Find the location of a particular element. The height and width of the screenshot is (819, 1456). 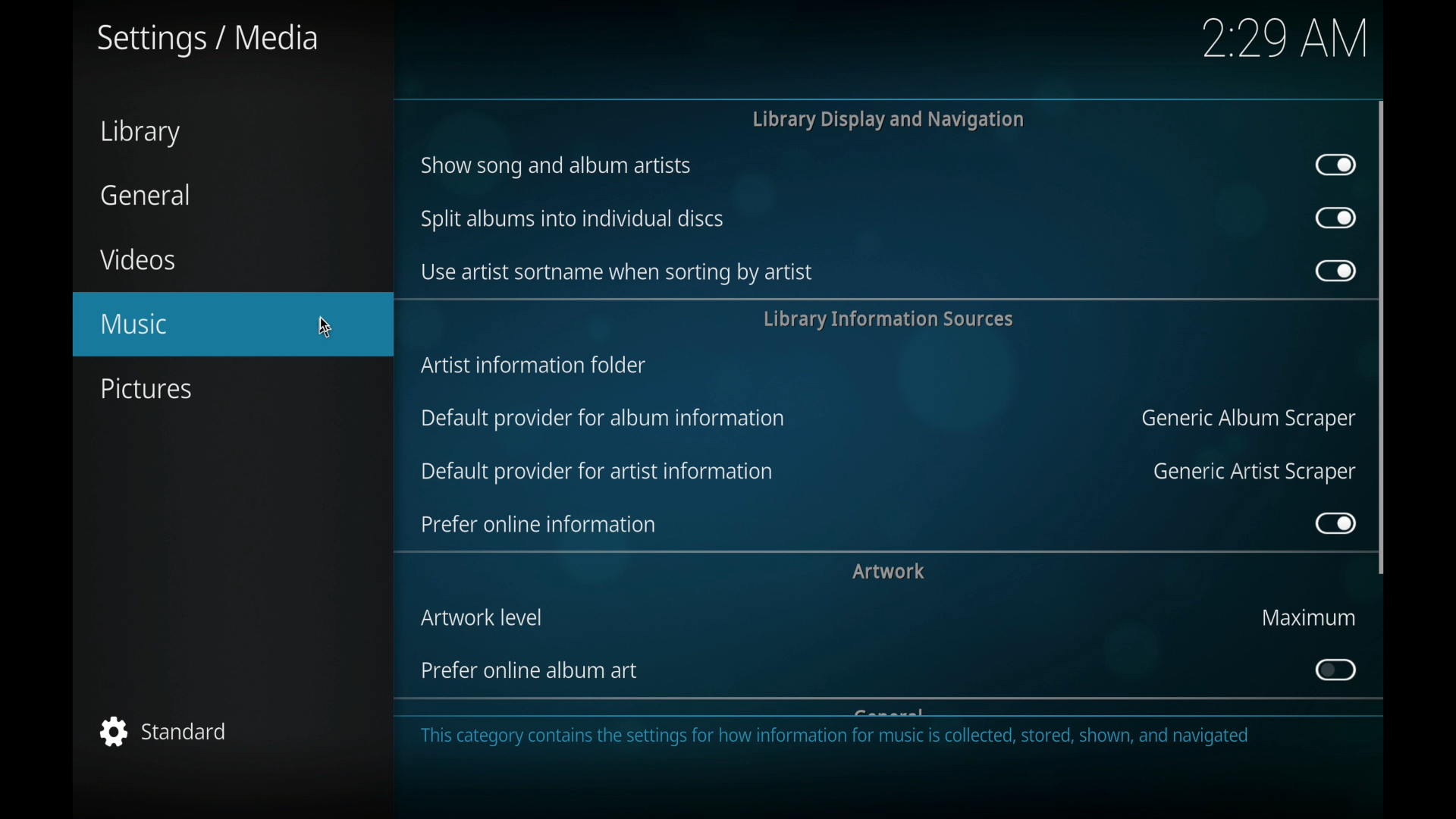

artist information folder is located at coordinates (533, 366).